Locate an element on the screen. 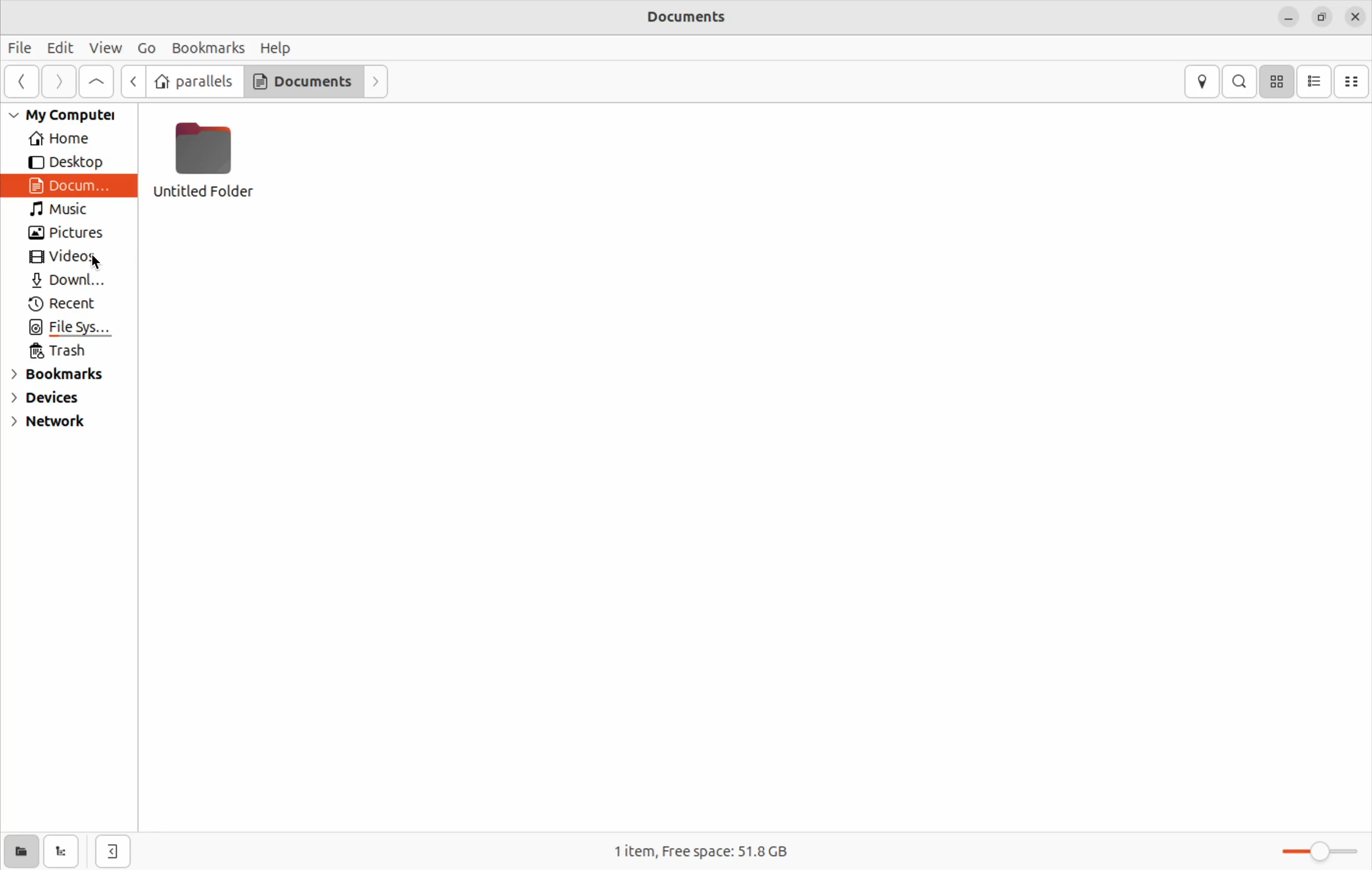  Trash is located at coordinates (63, 351).